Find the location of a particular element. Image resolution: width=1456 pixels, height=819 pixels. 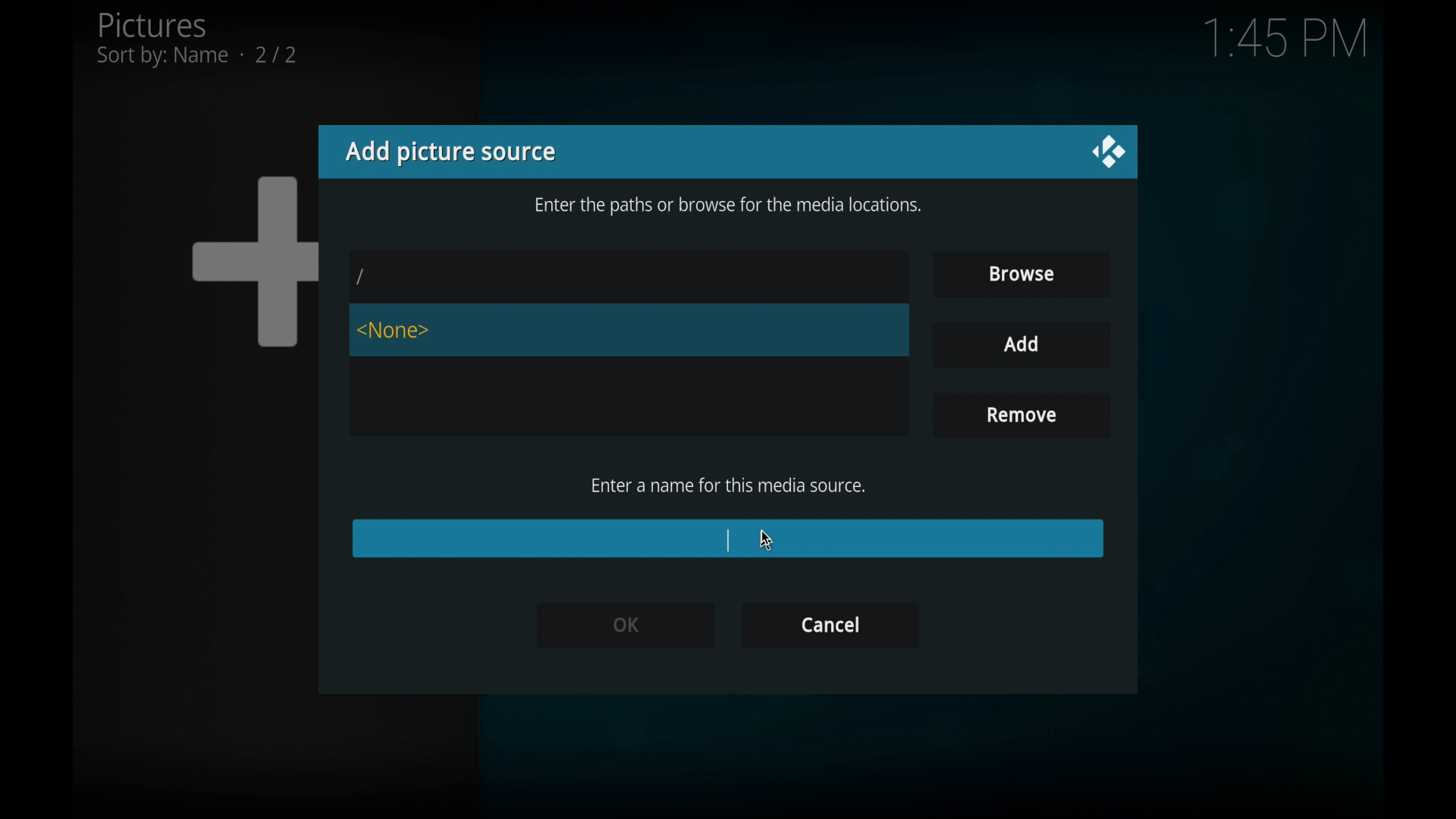

ok is located at coordinates (624, 624).